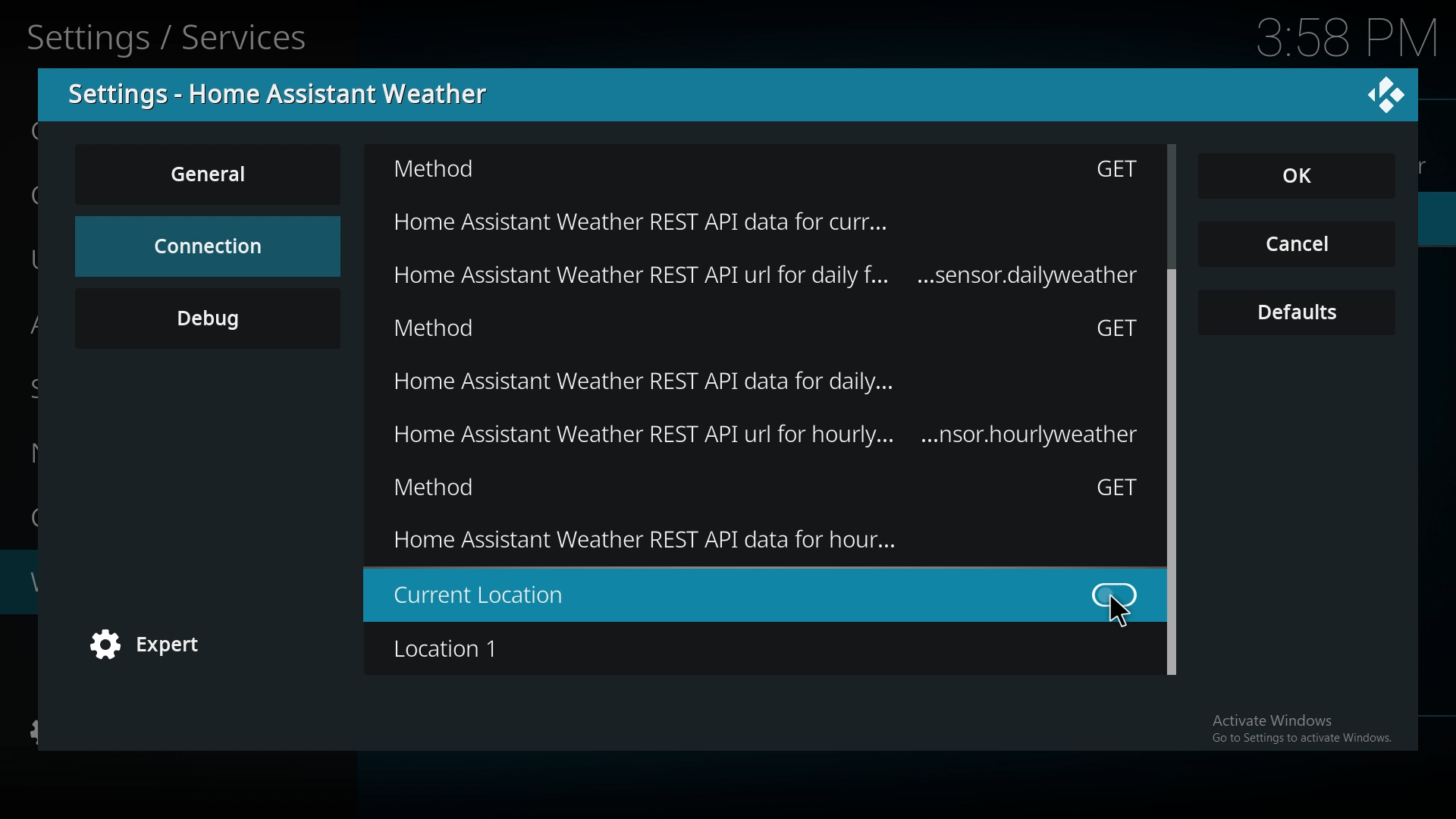 This screenshot has width=1456, height=819. Describe the element at coordinates (729, 438) in the screenshot. I see `home assistant weather rest api url for hourly` at that location.